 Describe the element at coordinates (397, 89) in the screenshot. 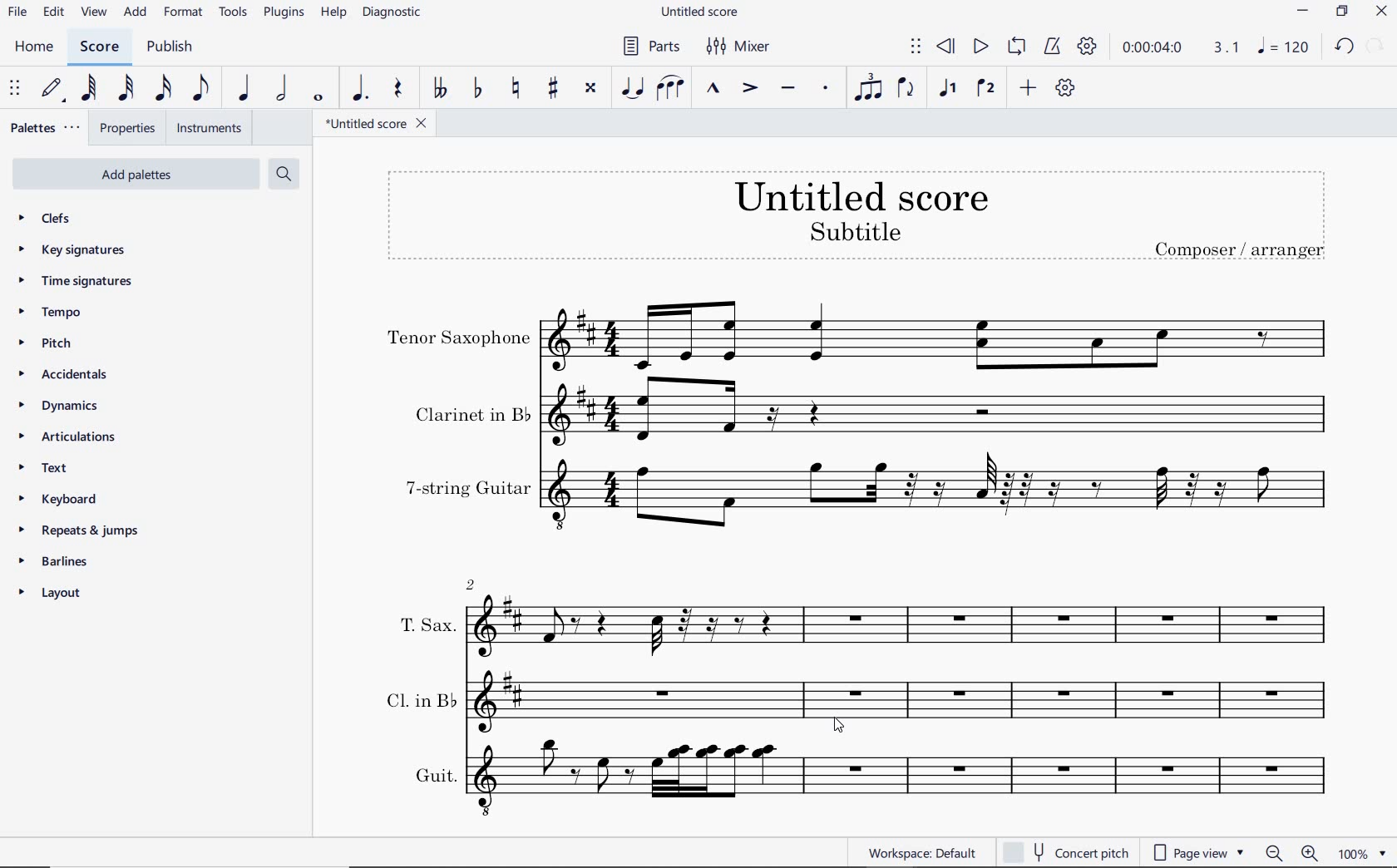

I see `REST` at that location.